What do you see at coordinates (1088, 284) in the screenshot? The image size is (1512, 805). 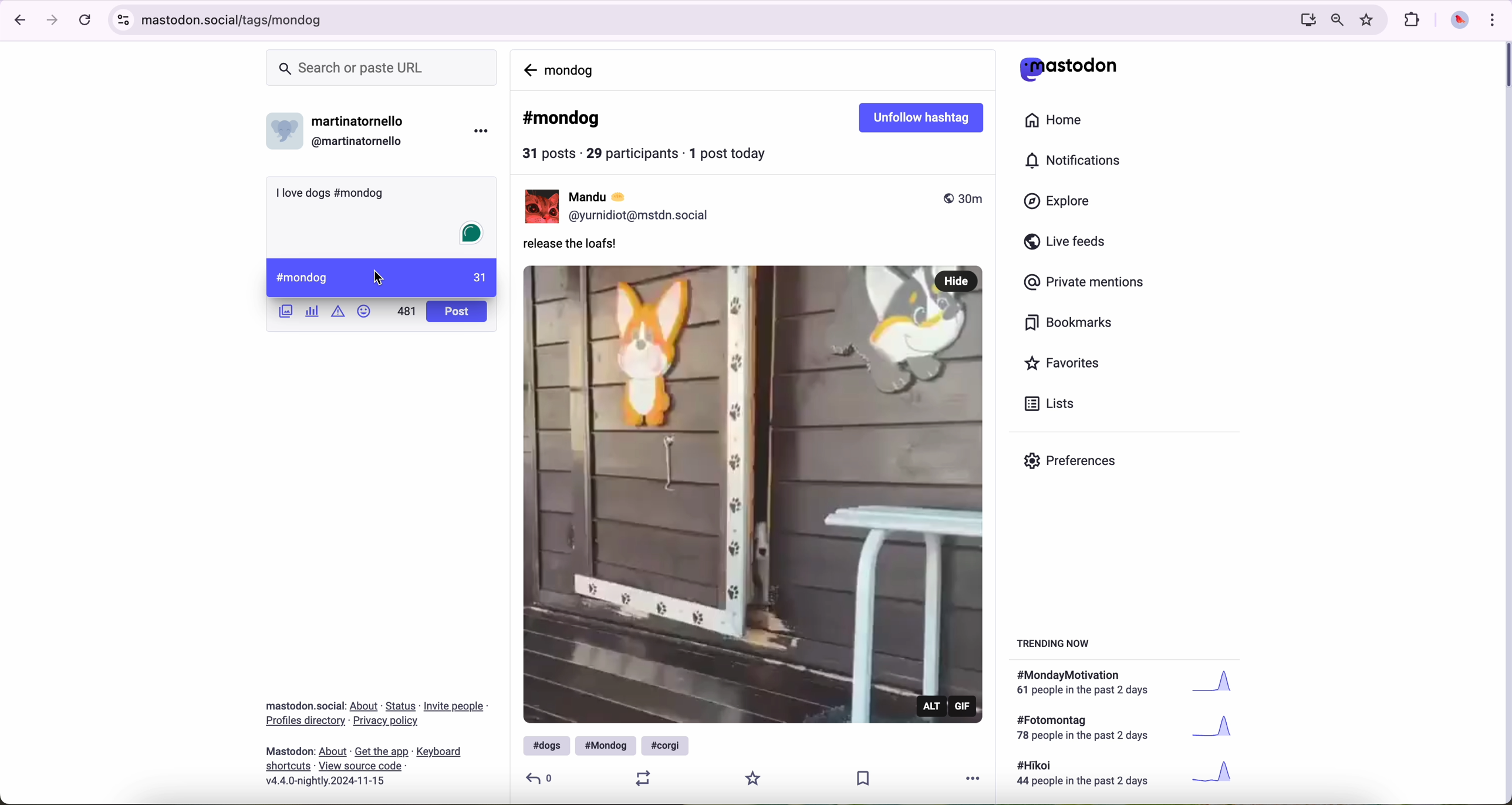 I see `private mentions` at bounding box center [1088, 284].